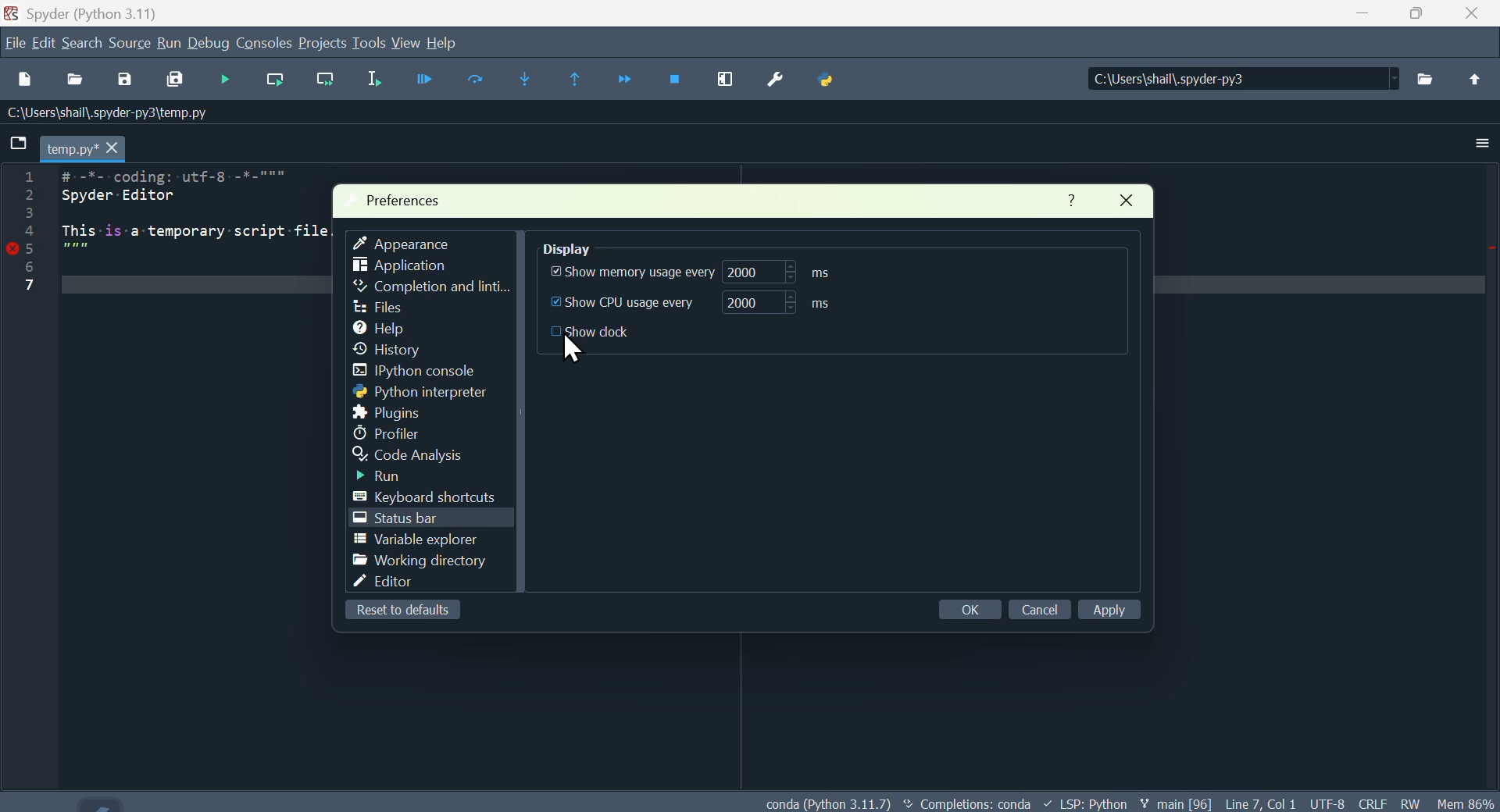 The image size is (1500, 812). Describe the element at coordinates (577, 81) in the screenshot. I see `Continue execution until same function returns` at that location.